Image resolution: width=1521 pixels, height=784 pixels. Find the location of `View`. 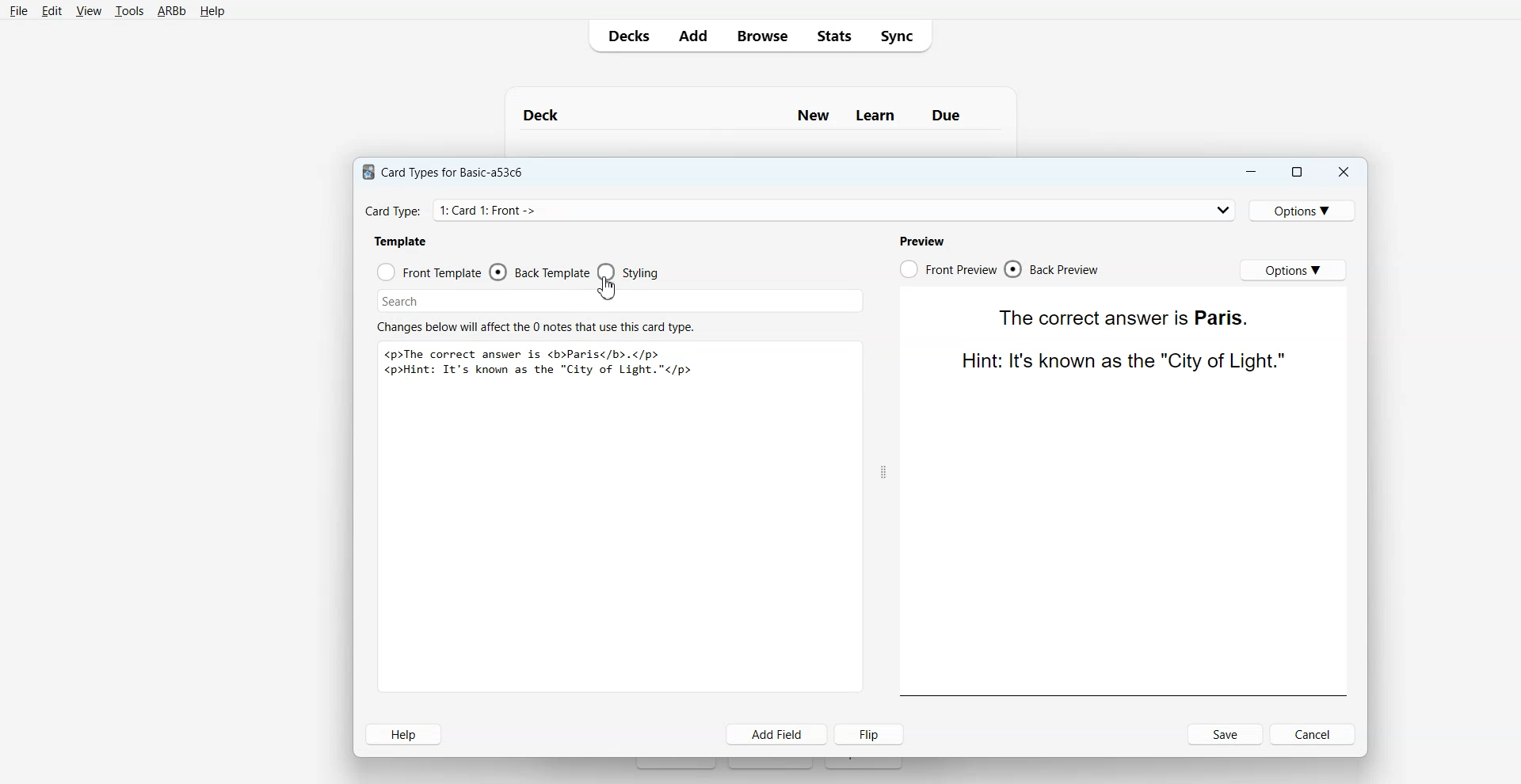

View is located at coordinates (89, 11).